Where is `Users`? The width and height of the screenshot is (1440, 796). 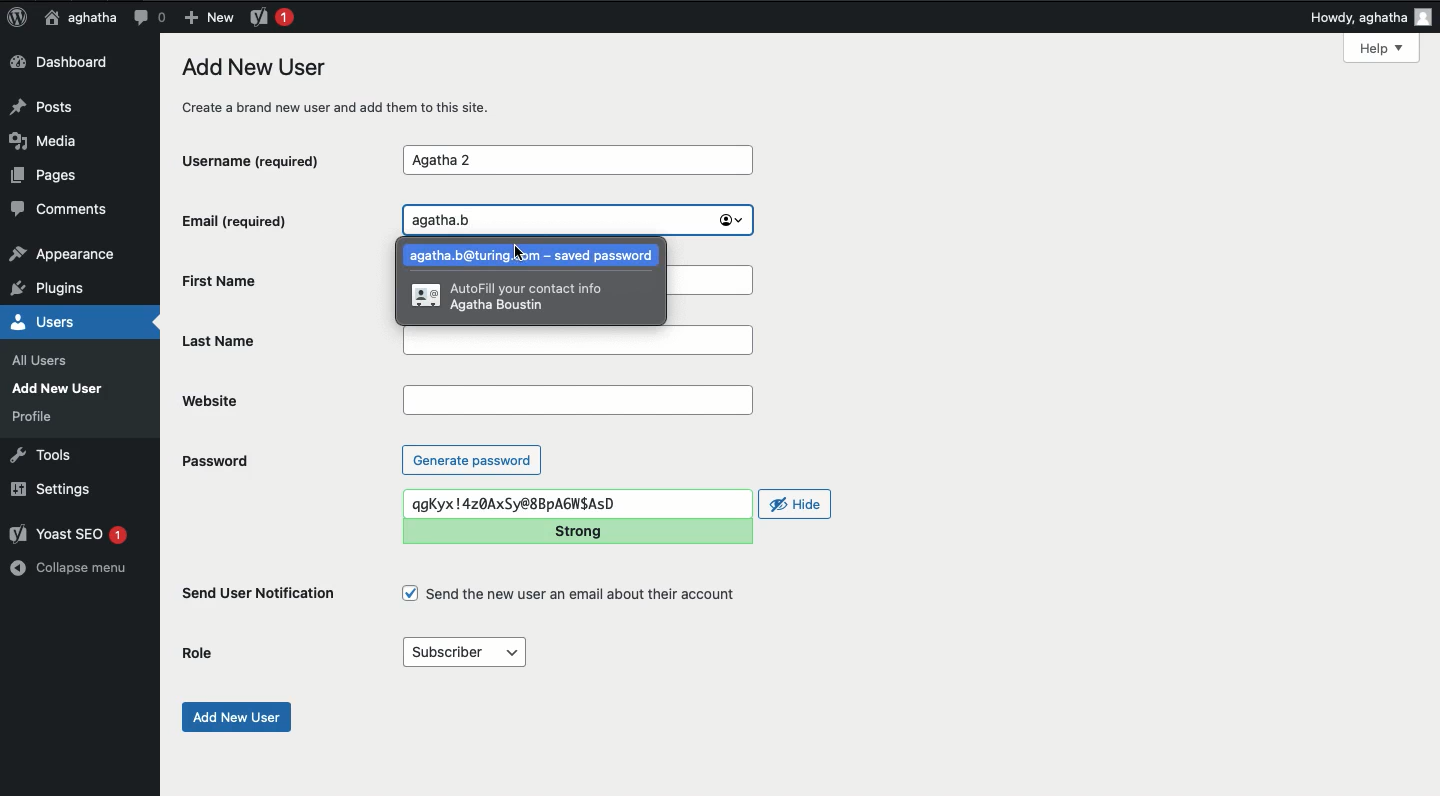
Users is located at coordinates (66, 322).